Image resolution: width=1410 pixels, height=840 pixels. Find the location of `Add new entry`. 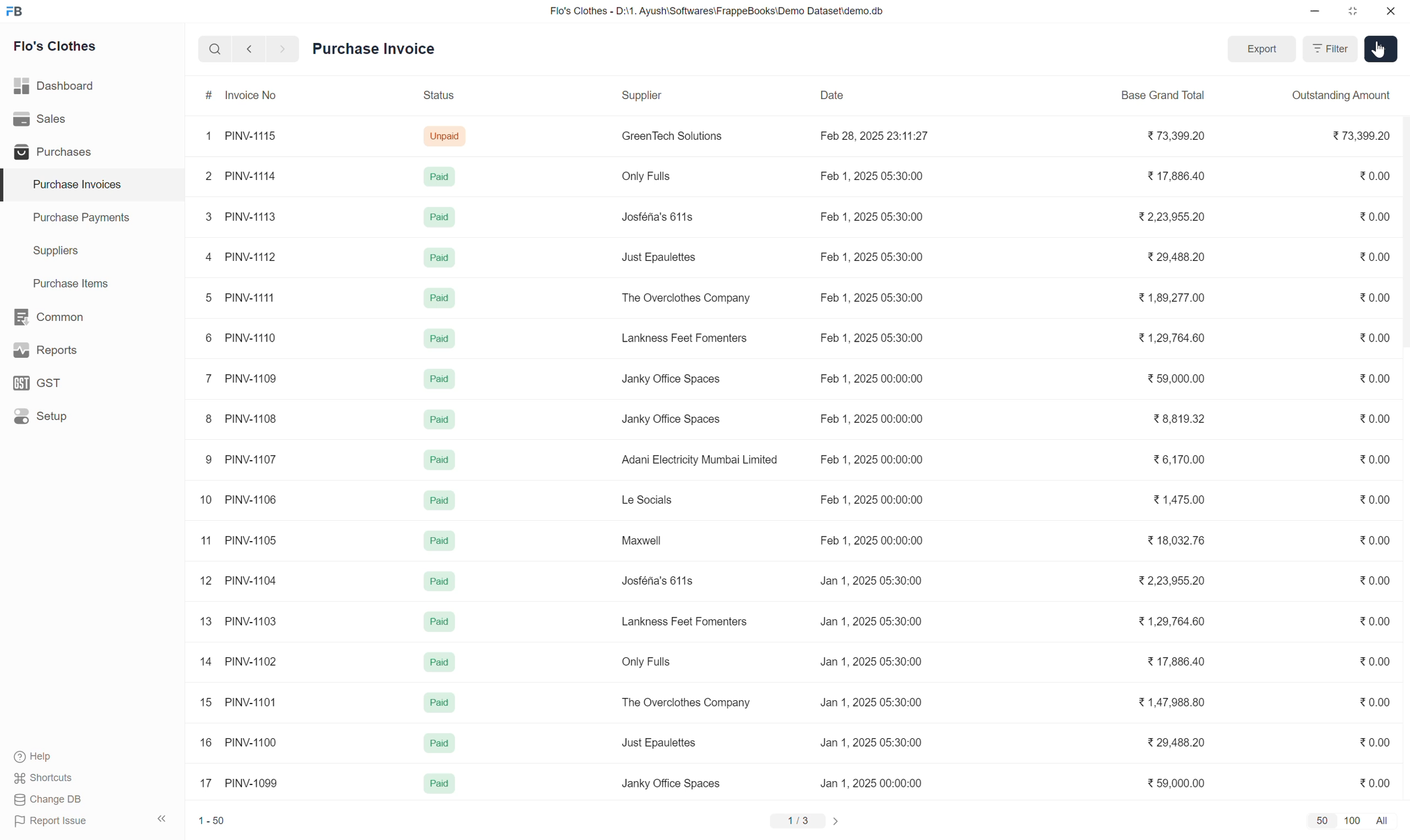

Add new entry is located at coordinates (1379, 49).